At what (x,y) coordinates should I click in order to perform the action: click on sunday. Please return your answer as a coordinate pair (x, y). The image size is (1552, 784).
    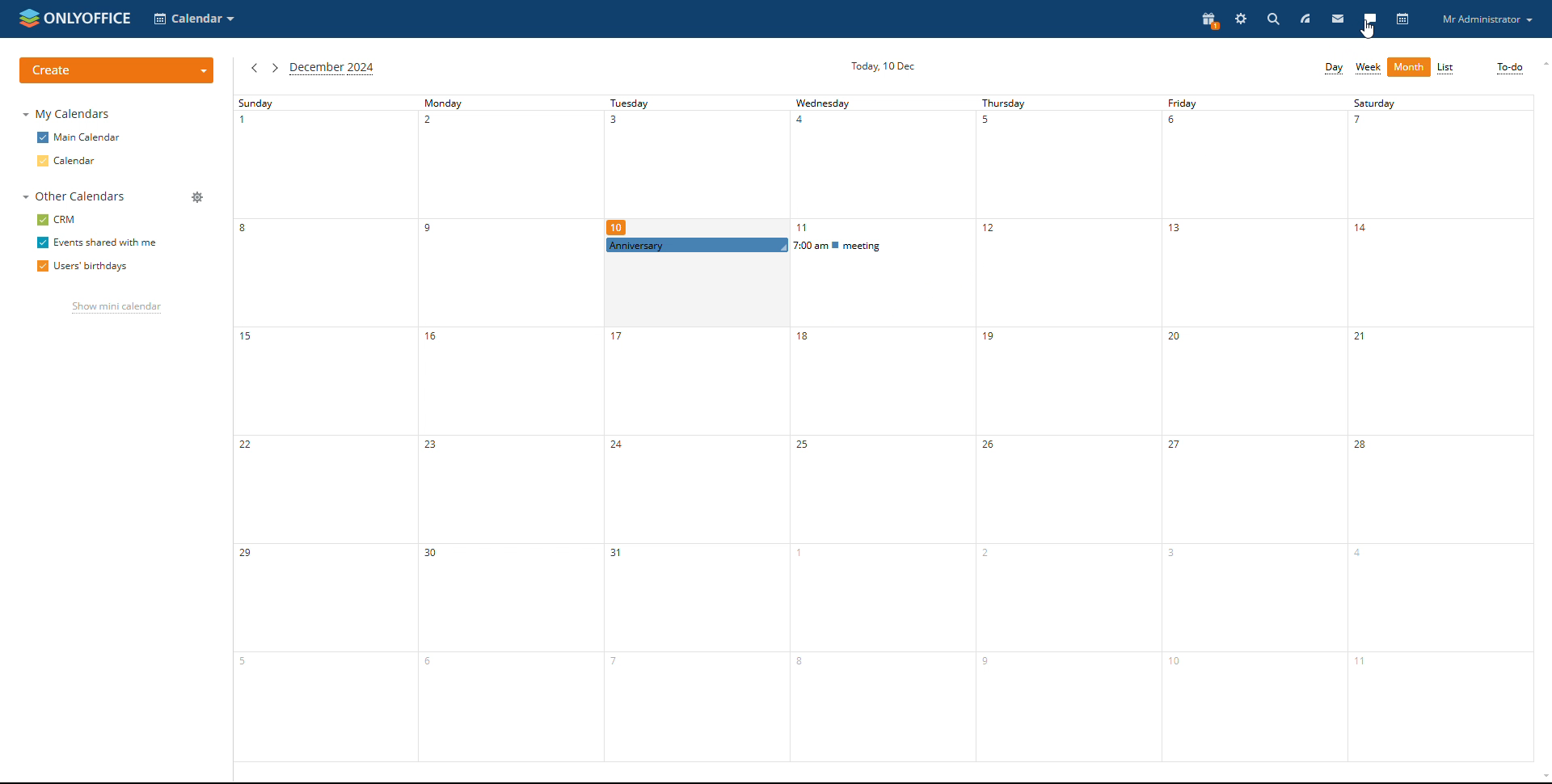
    Looking at the image, I should click on (326, 428).